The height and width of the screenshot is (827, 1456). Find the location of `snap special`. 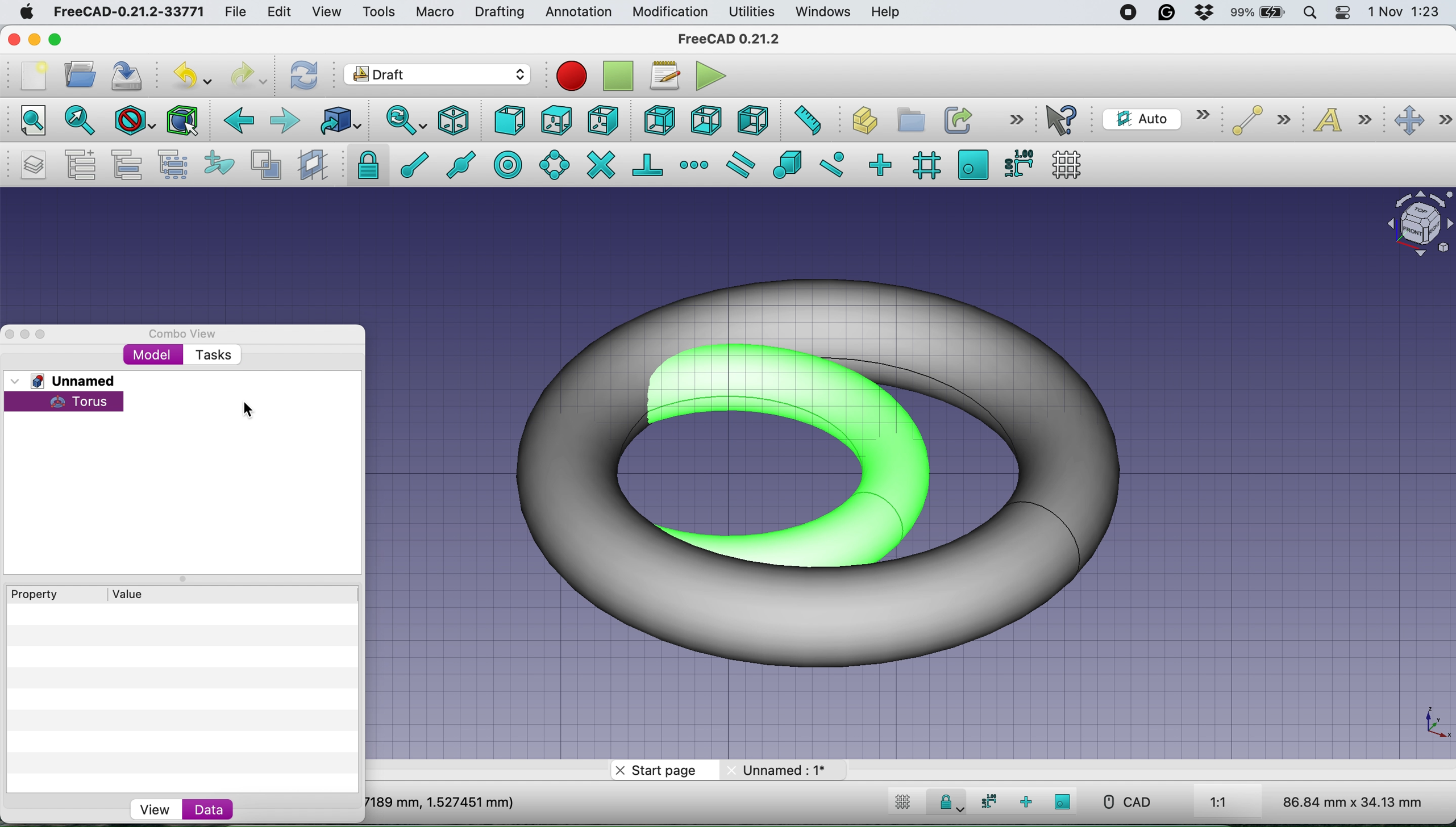

snap special is located at coordinates (788, 165).